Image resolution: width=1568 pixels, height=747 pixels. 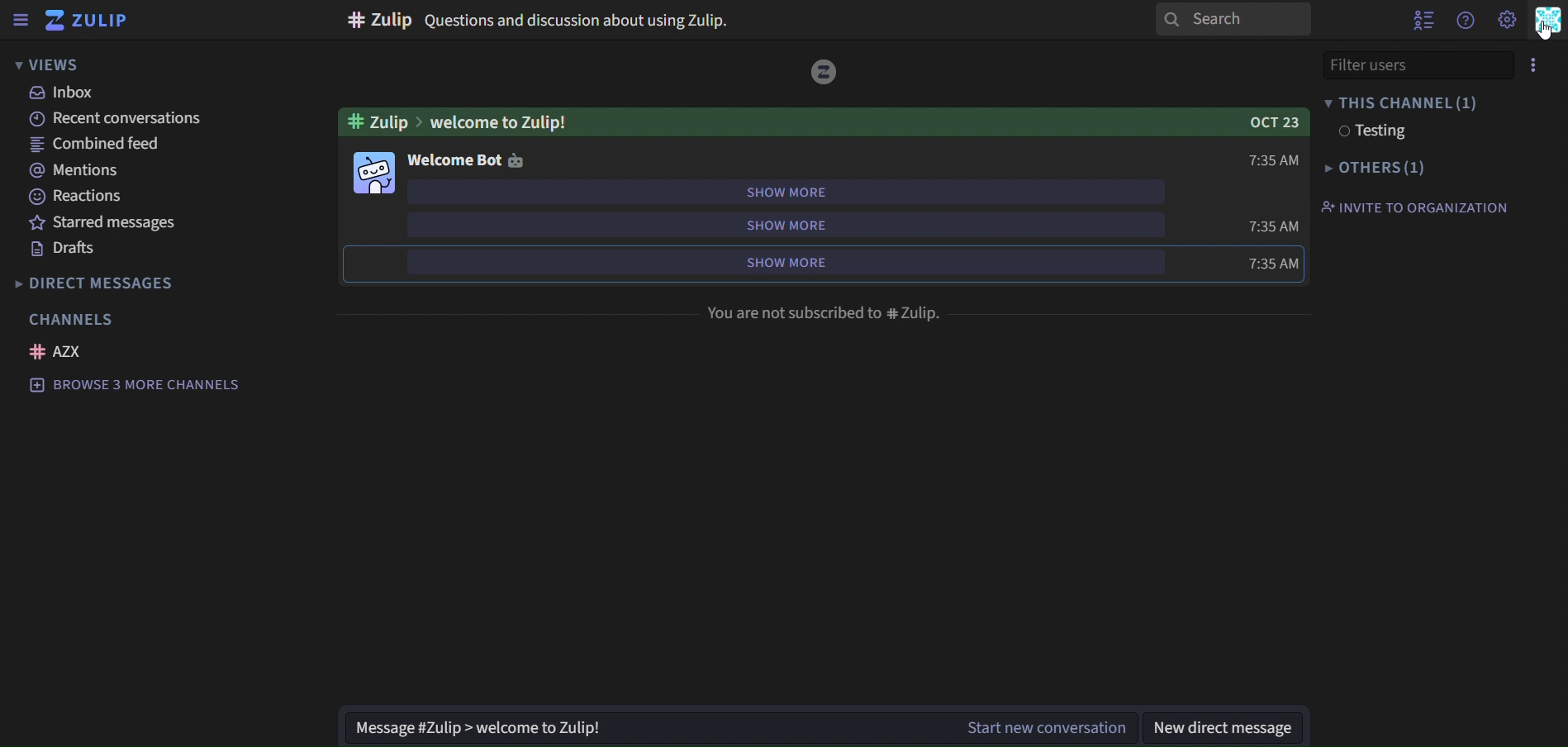 What do you see at coordinates (376, 173) in the screenshot?
I see `image` at bounding box center [376, 173].